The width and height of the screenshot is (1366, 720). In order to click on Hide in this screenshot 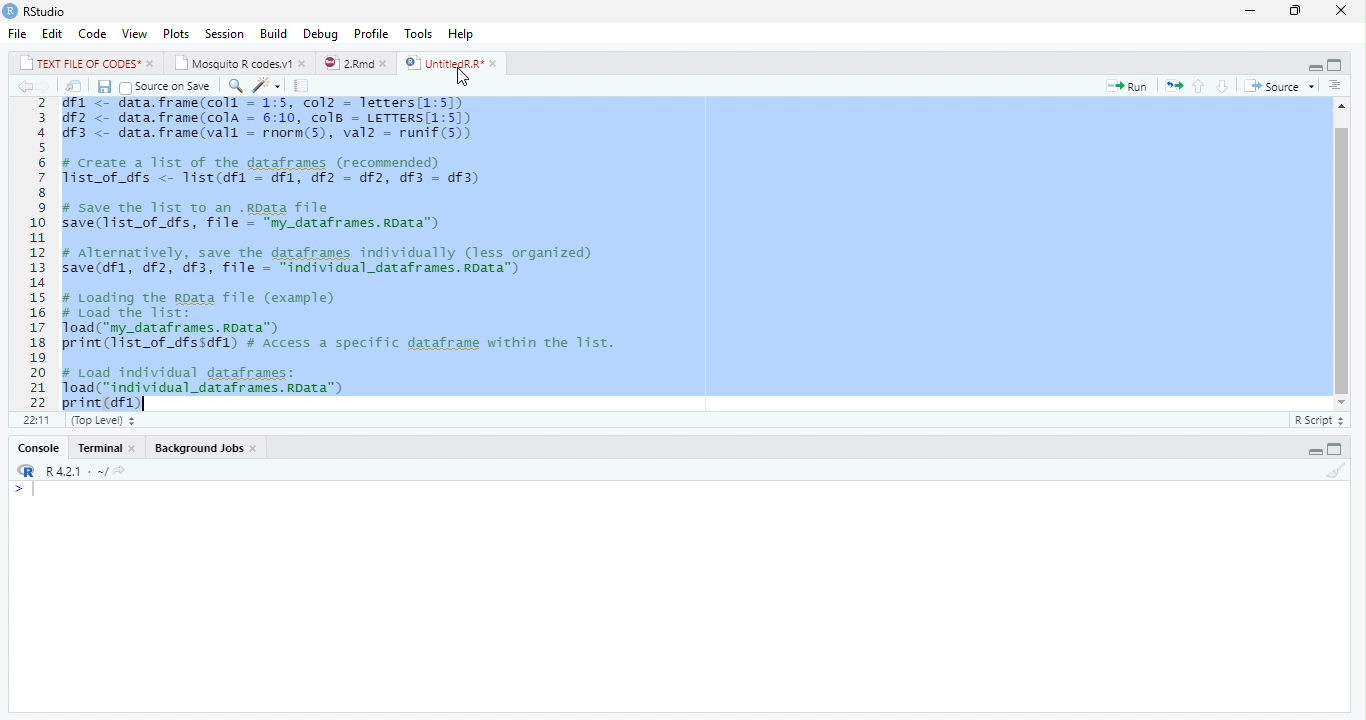, I will do `click(1312, 65)`.